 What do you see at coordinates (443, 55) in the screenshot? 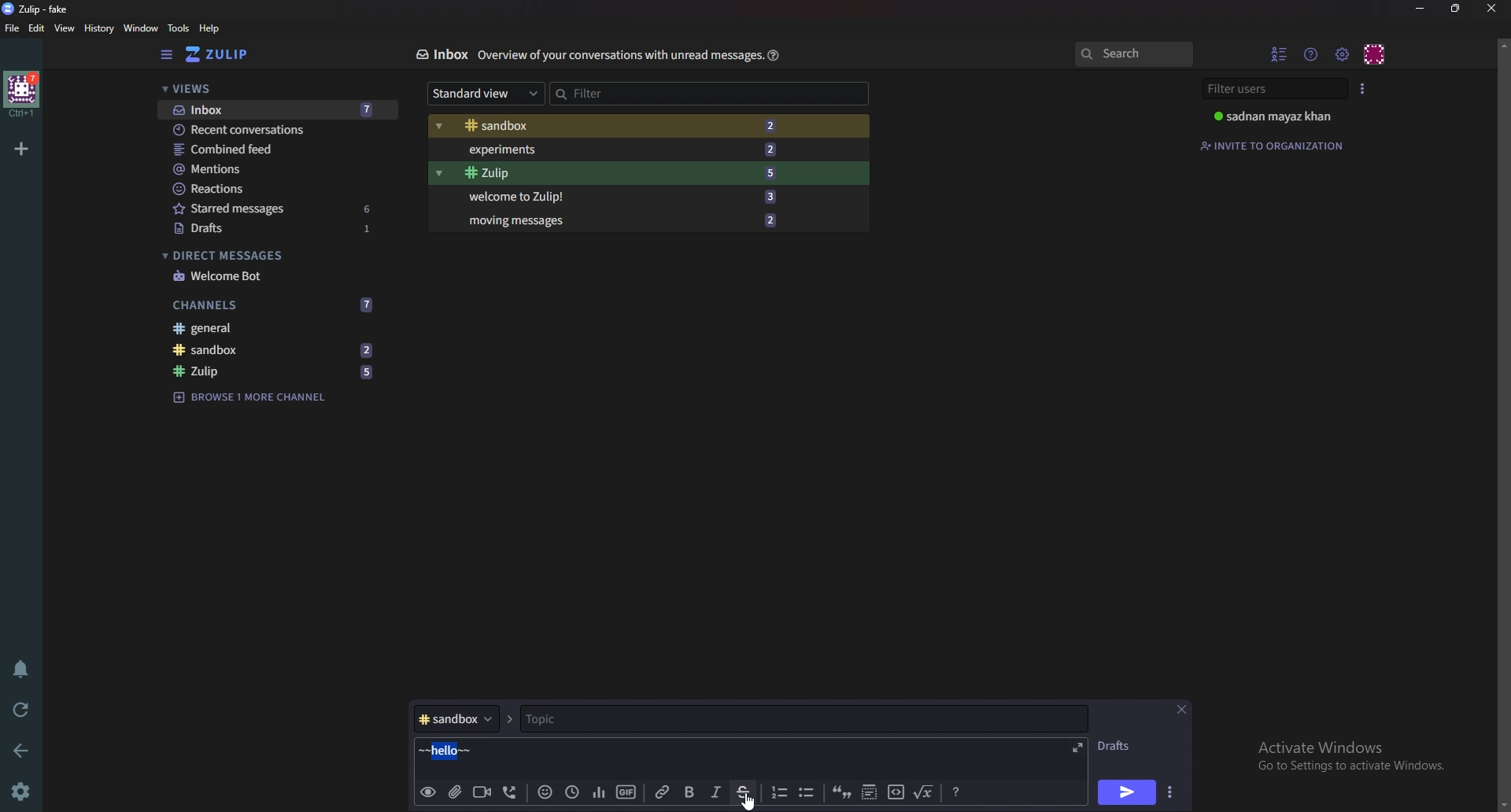
I see `Inbox` at bounding box center [443, 55].